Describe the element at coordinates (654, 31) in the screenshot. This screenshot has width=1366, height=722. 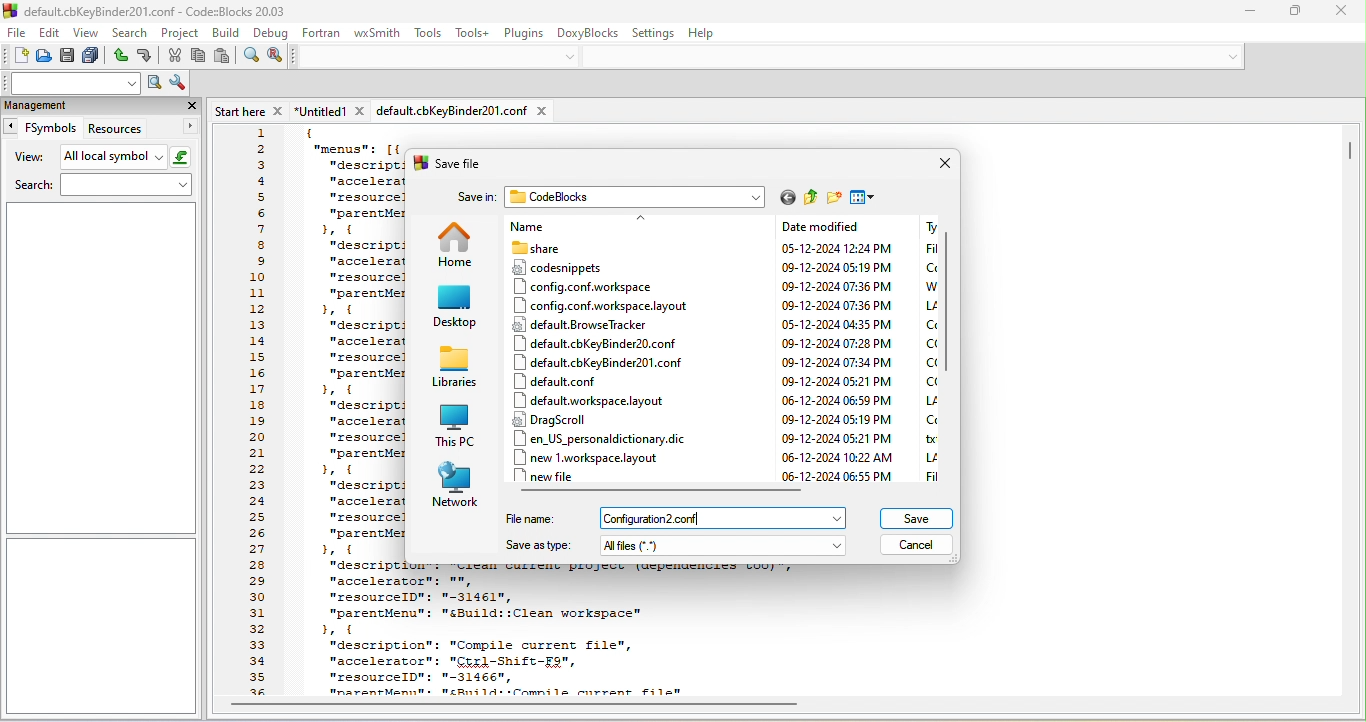
I see `settings` at that location.